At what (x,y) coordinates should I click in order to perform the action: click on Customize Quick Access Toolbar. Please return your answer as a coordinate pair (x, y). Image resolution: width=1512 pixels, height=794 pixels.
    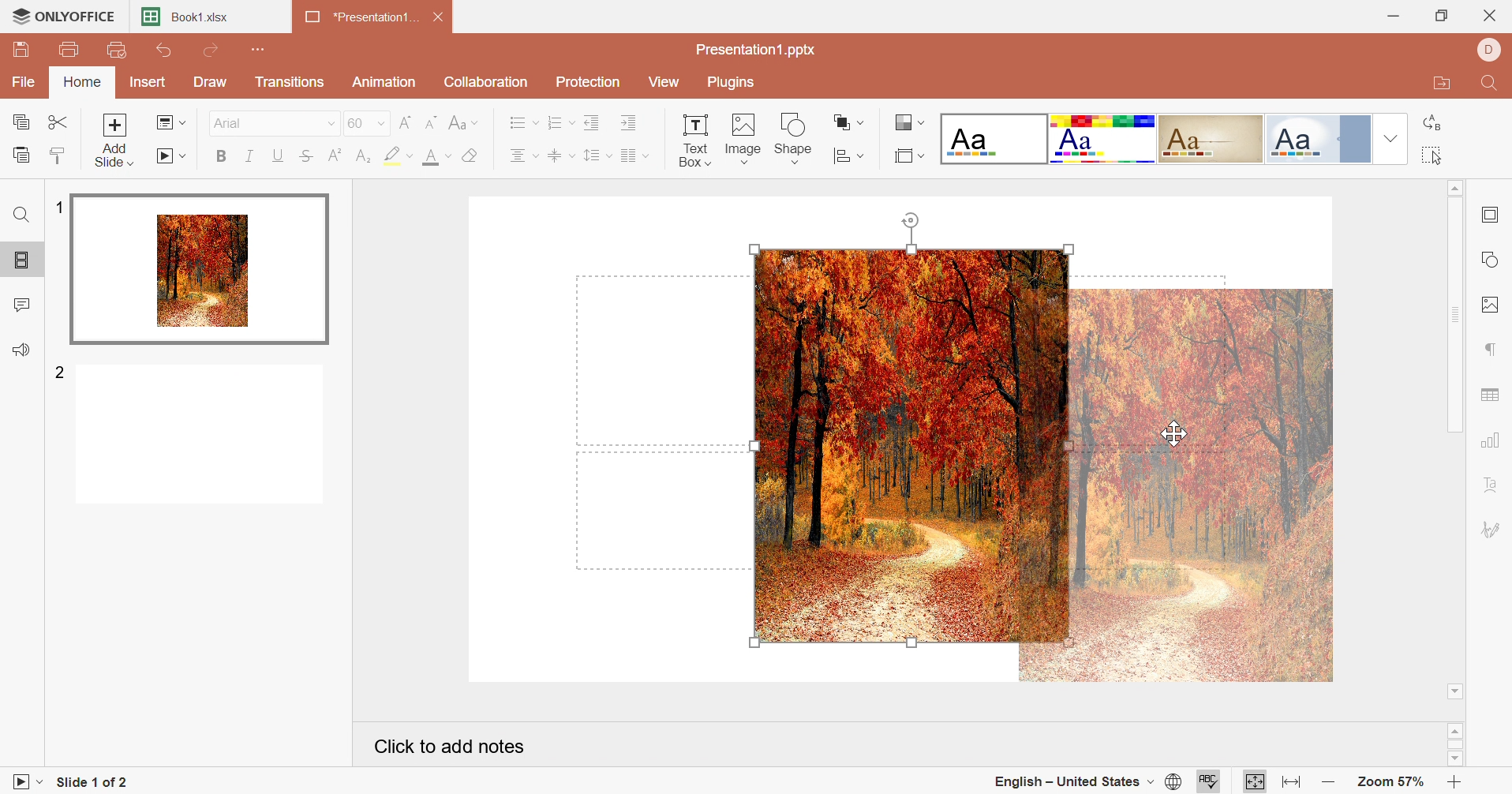
    Looking at the image, I should click on (254, 49).